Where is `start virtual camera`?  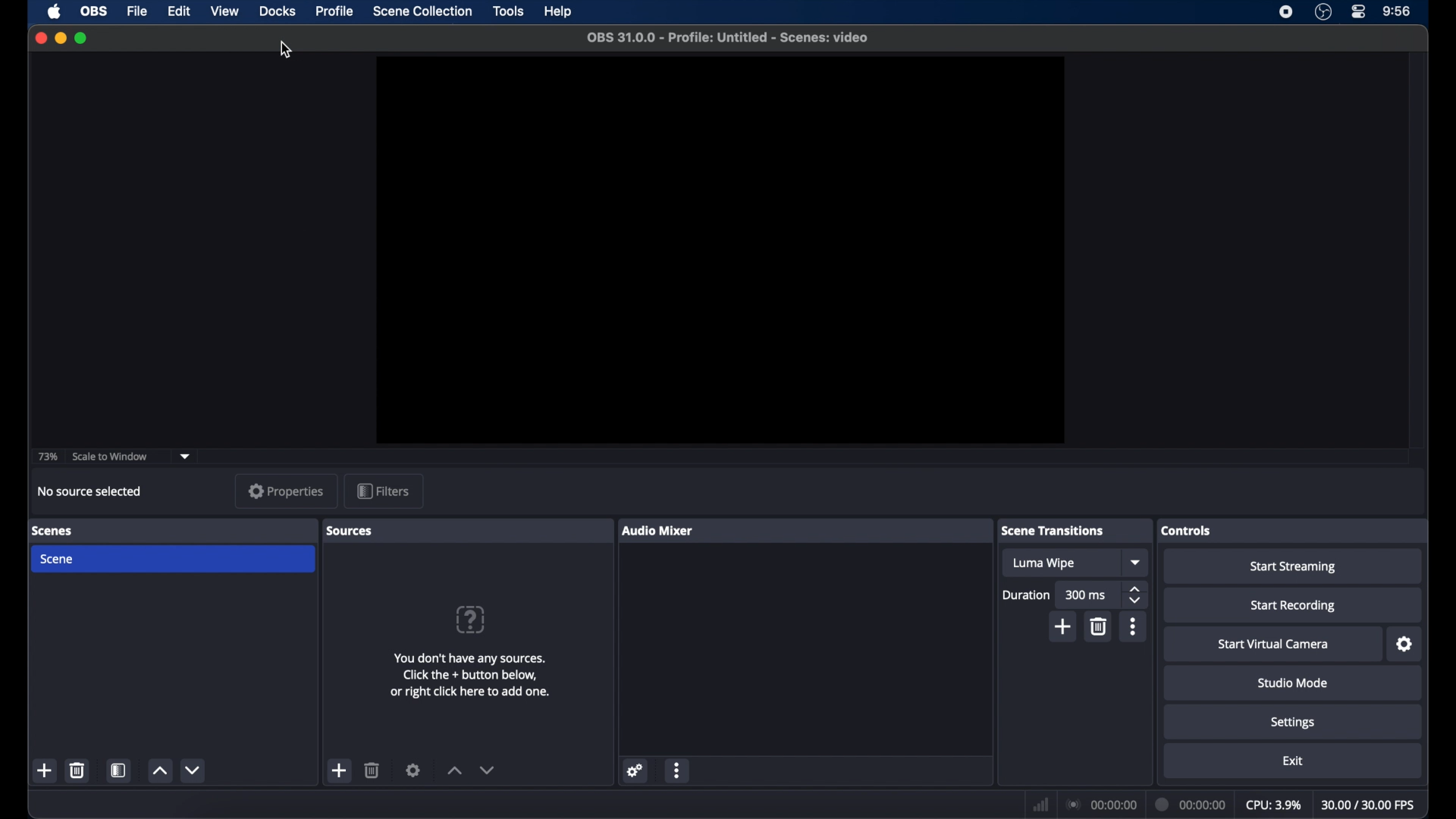 start virtual camera is located at coordinates (1273, 644).